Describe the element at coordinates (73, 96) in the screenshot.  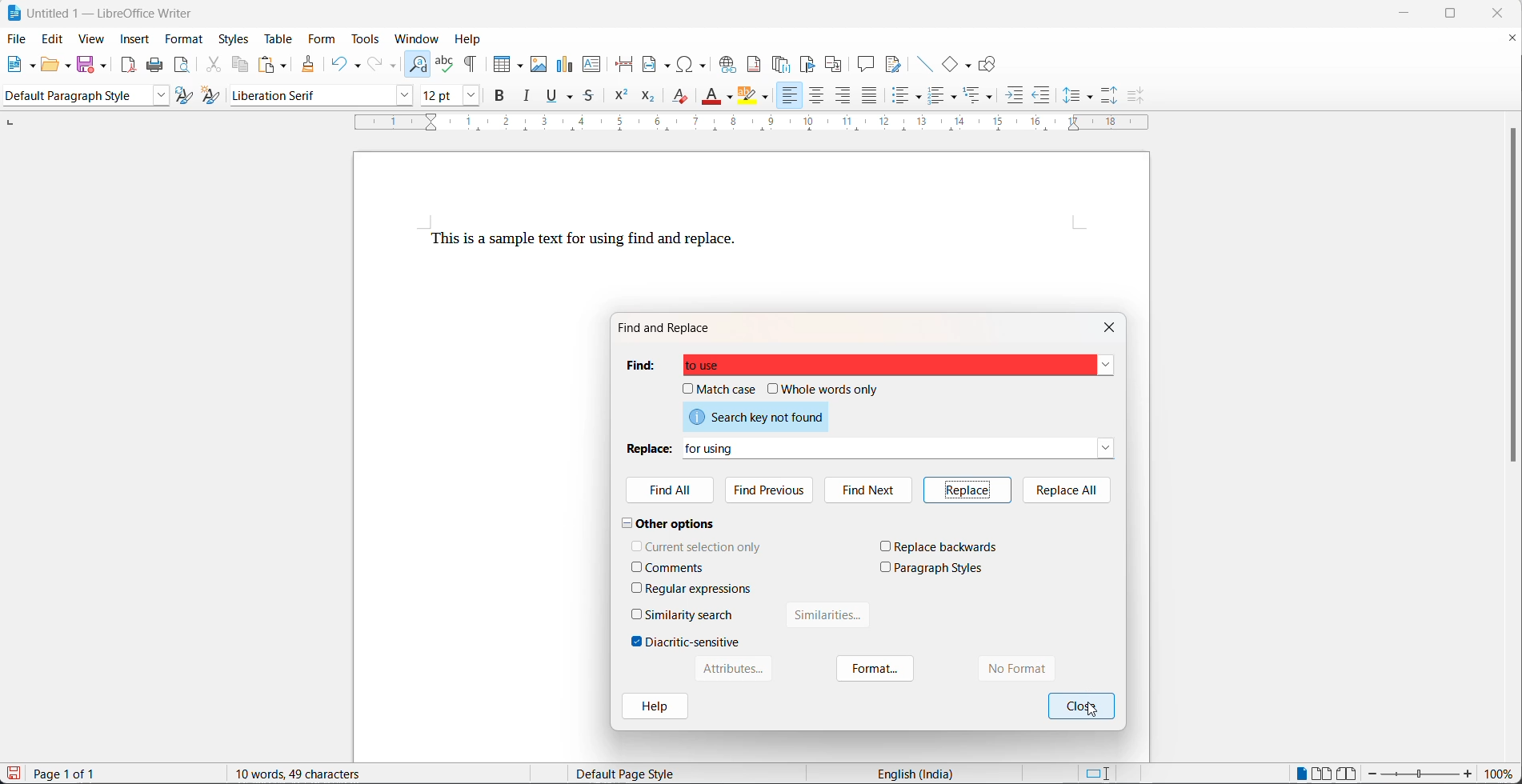
I see `paragraph style` at that location.